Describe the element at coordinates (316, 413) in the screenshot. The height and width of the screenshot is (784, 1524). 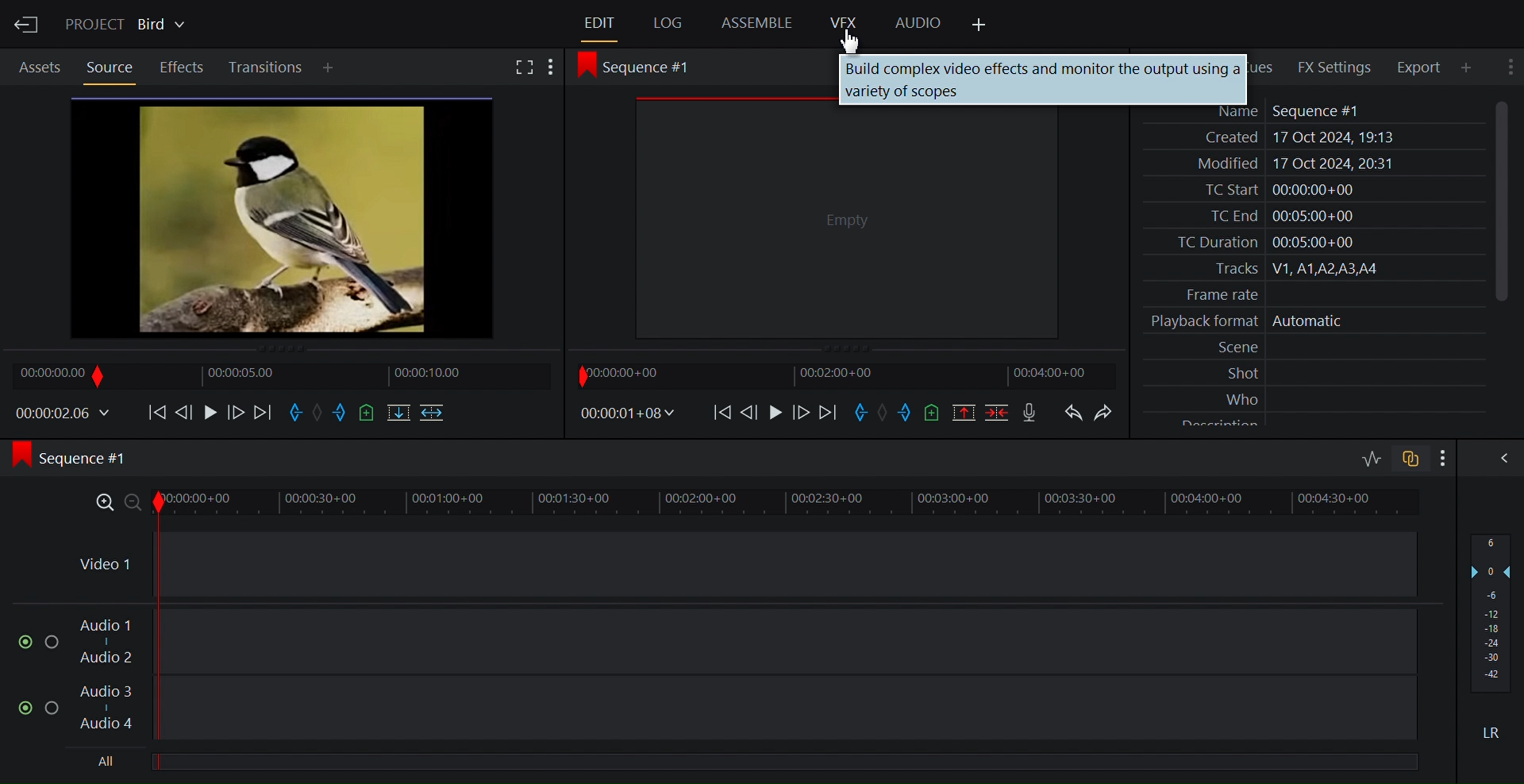
I see `Clear marks` at that location.